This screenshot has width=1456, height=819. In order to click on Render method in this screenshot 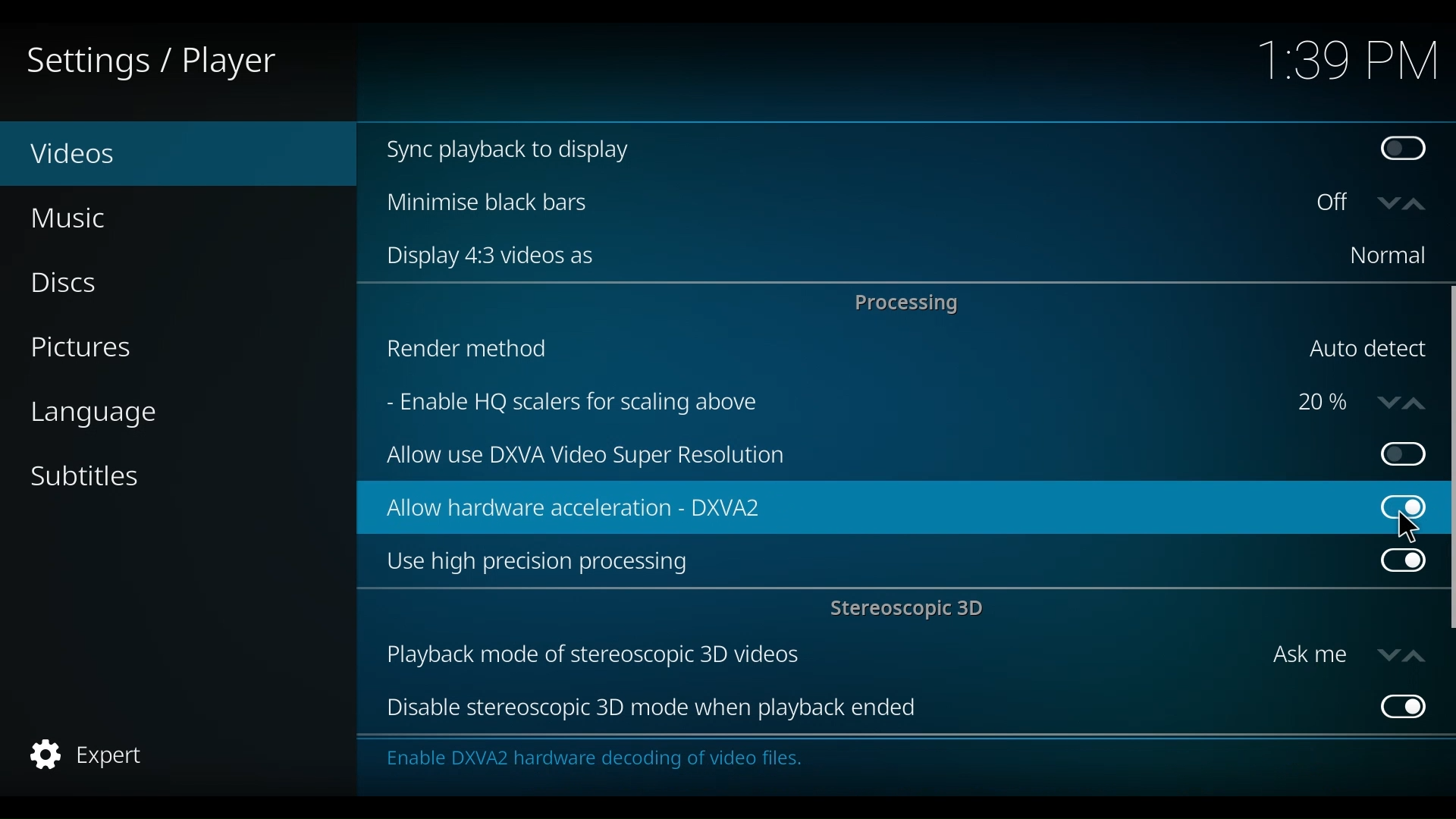, I will do `click(830, 352)`.